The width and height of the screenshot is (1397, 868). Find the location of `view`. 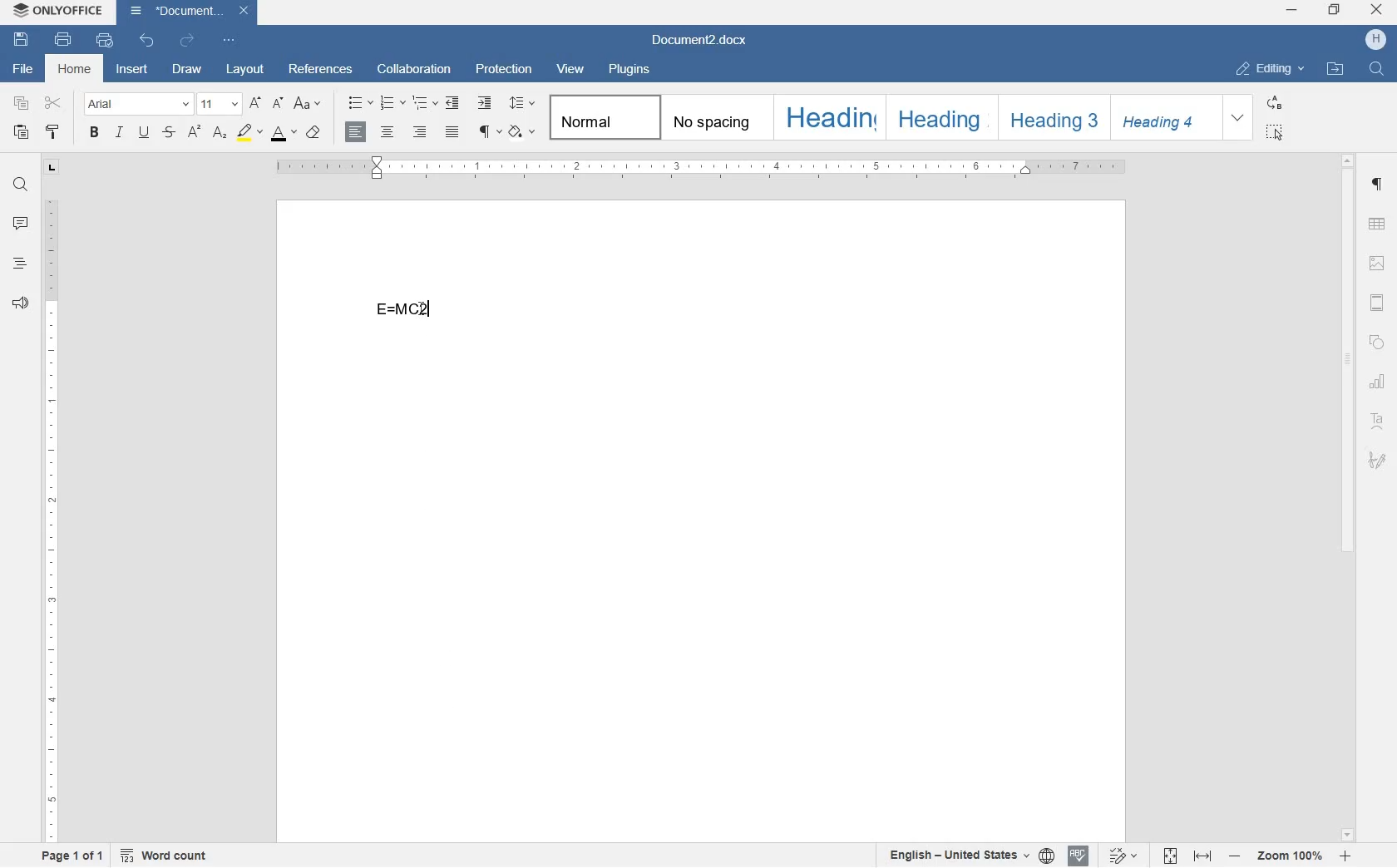

view is located at coordinates (573, 69).